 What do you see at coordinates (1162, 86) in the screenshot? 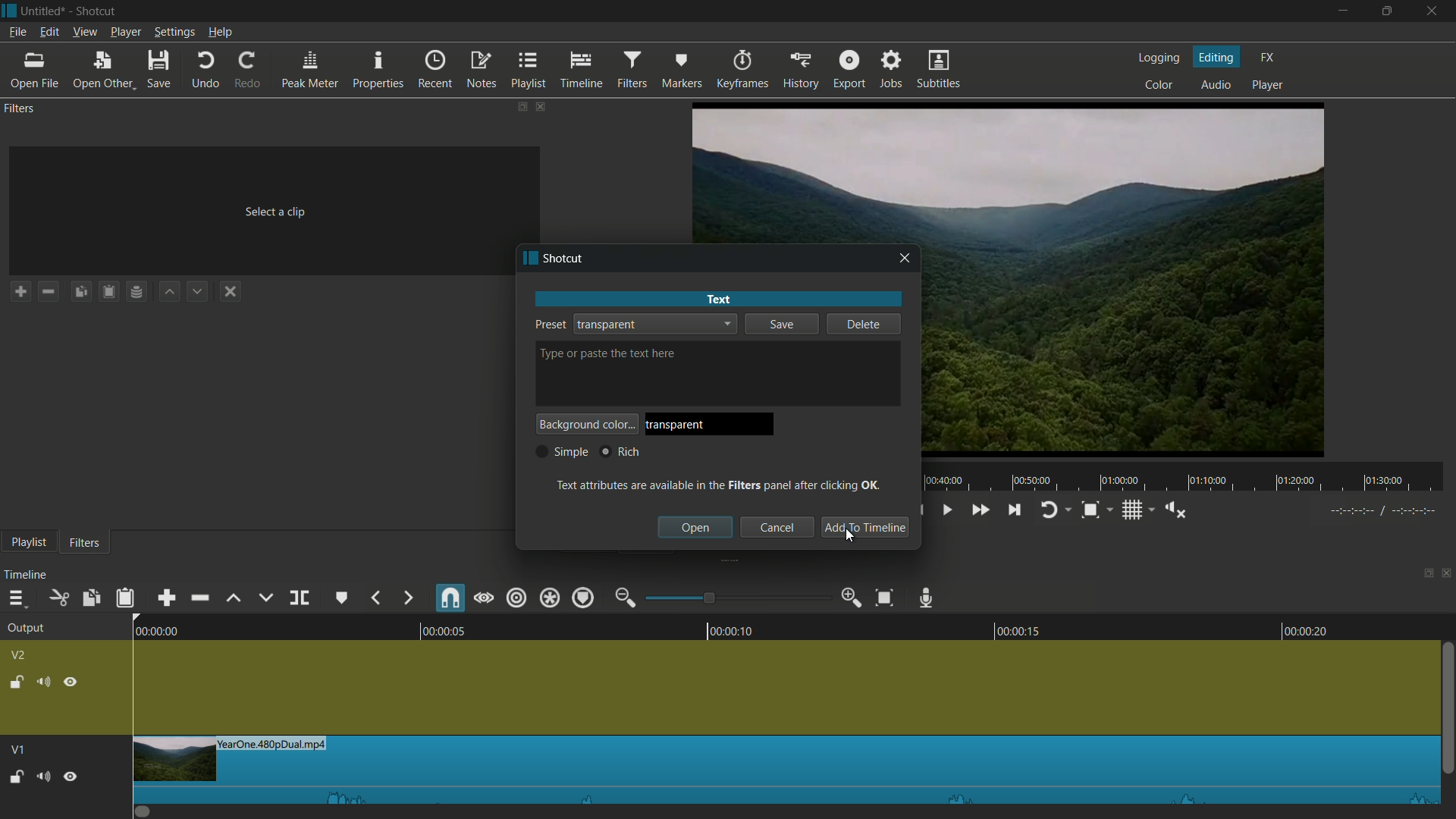
I see `color` at bounding box center [1162, 86].